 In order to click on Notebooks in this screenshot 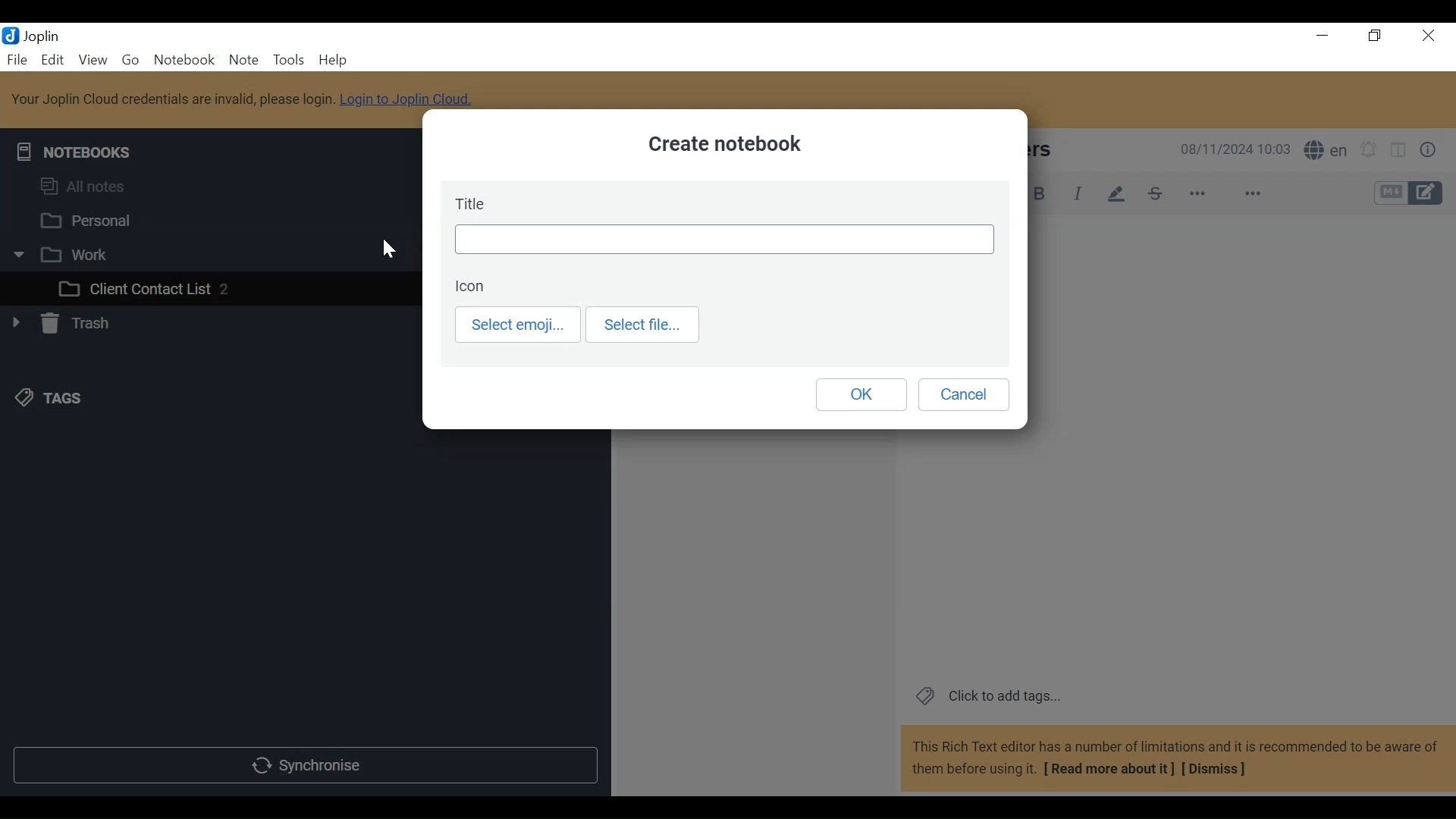, I will do `click(72, 152)`.